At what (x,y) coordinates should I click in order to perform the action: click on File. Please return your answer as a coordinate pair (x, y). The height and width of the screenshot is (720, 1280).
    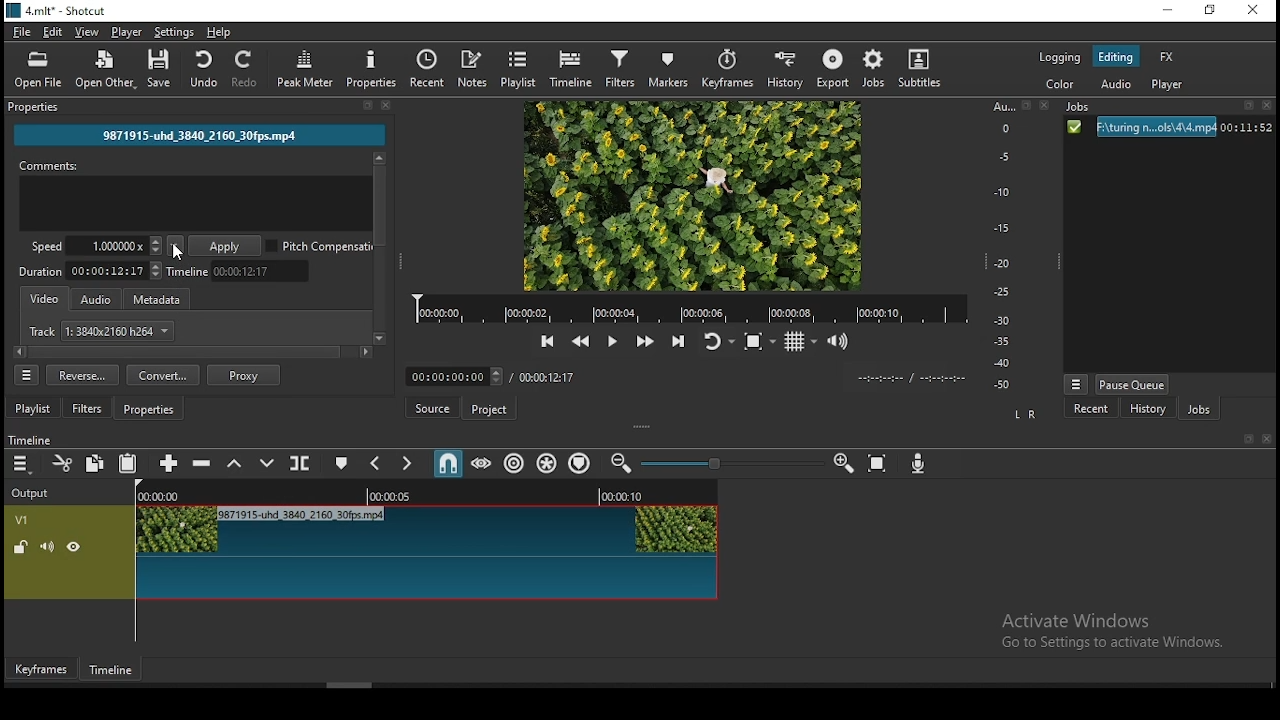
    Looking at the image, I should click on (1167, 128).